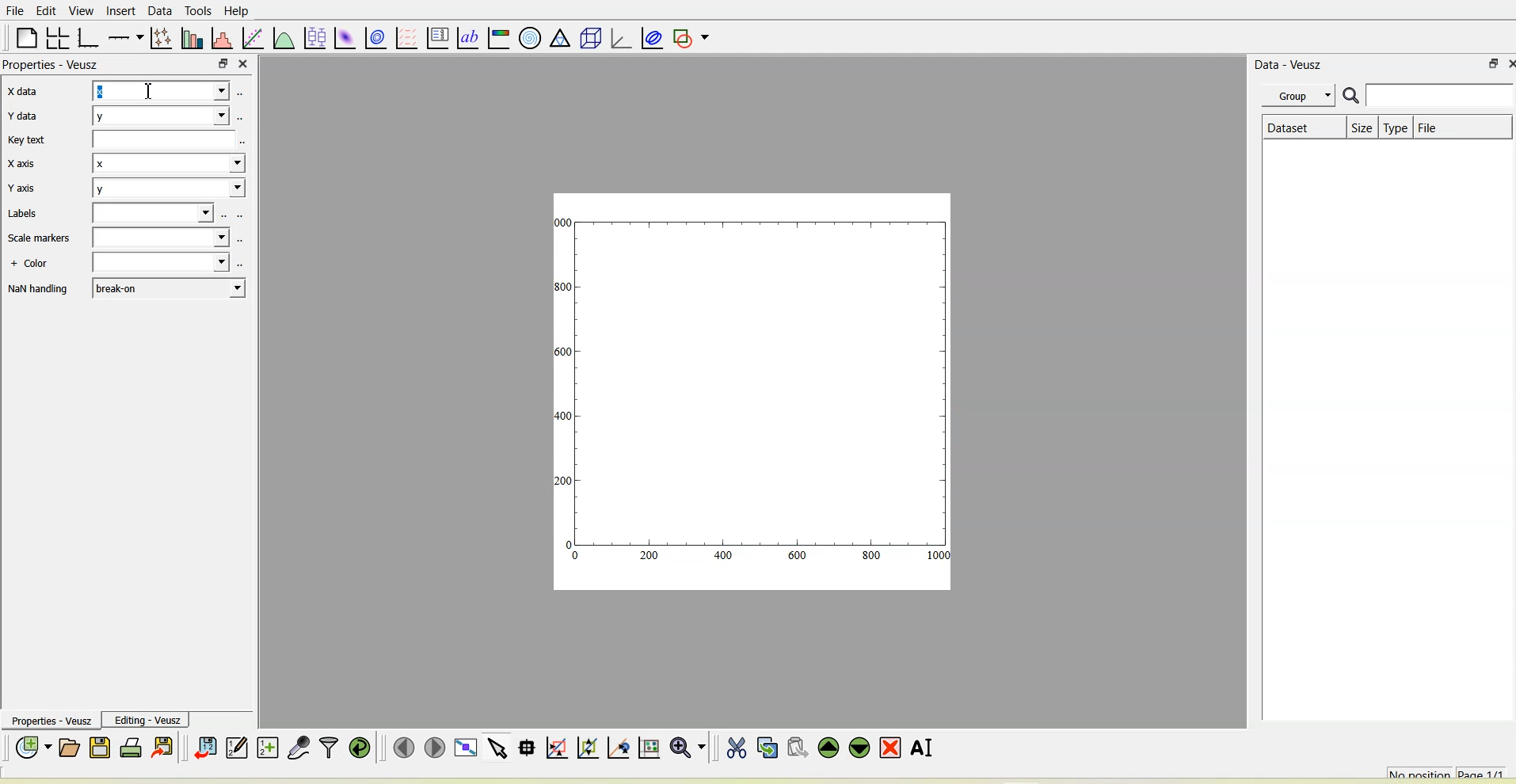 This screenshot has width=1516, height=784. Describe the element at coordinates (87, 38) in the screenshot. I see `Base graph` at that location.